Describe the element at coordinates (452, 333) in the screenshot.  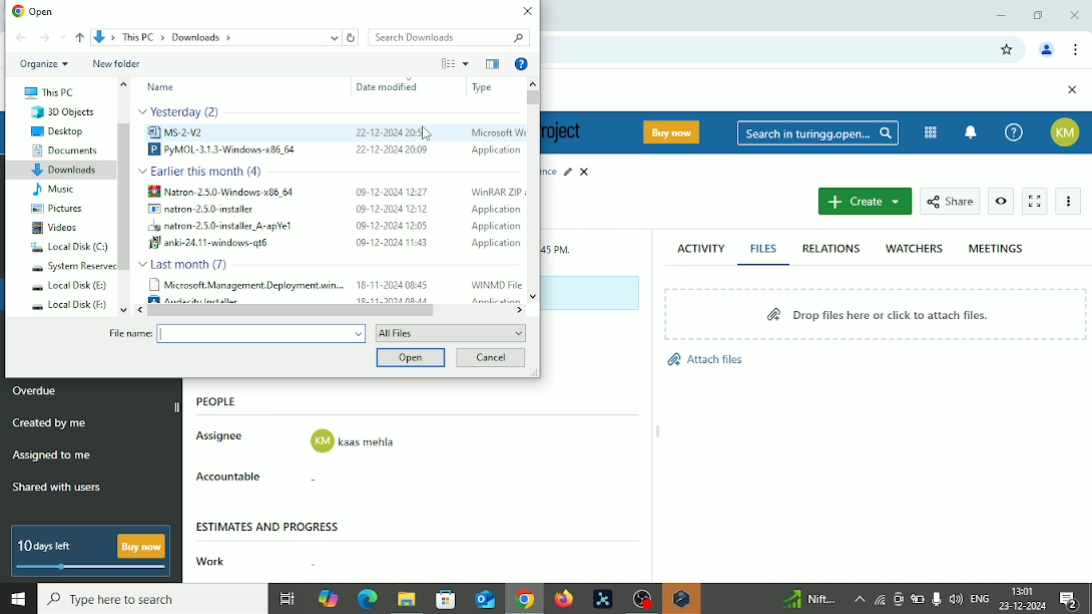
I see `All files` at that location.